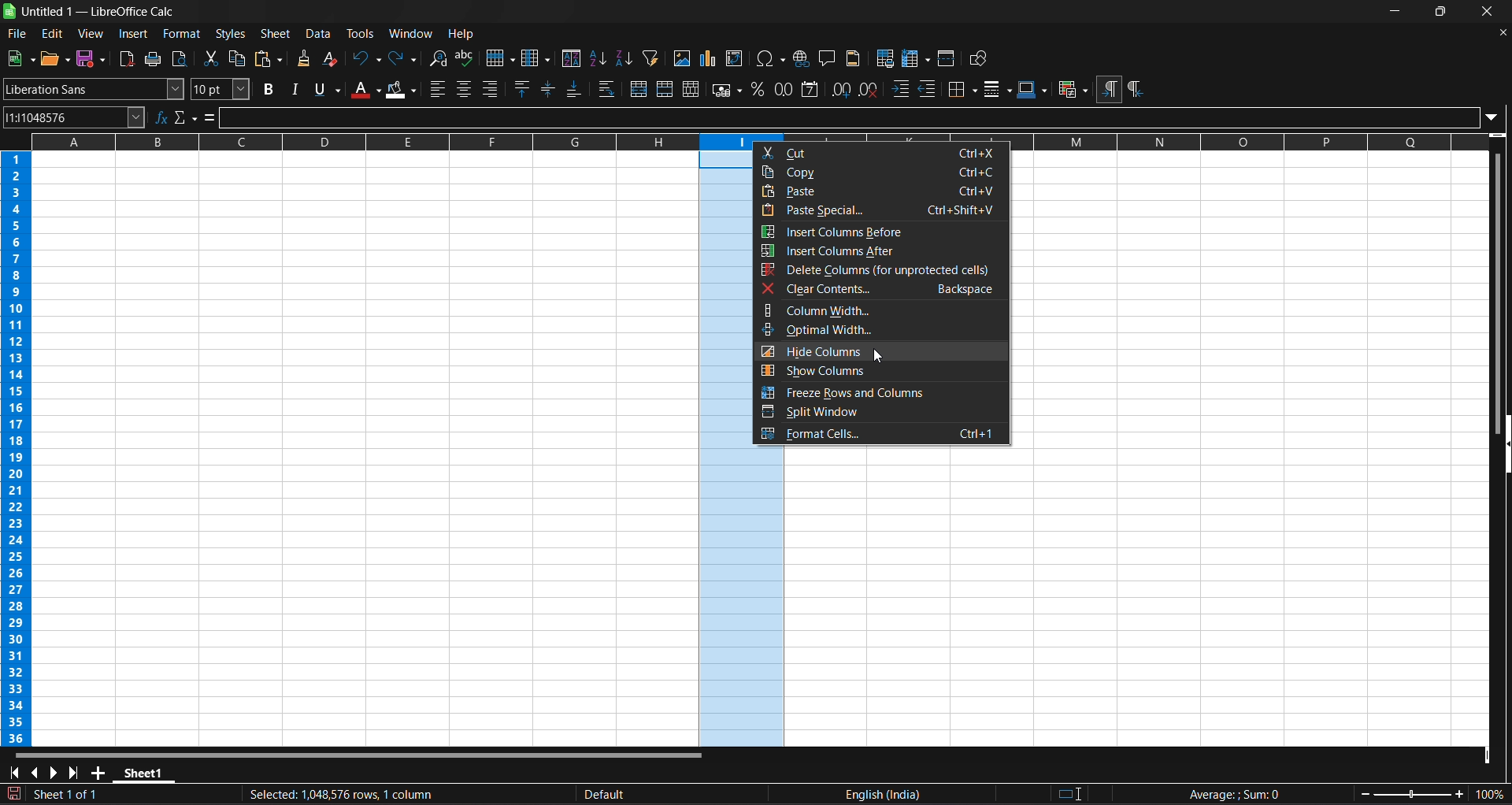  Describe the element at coordinates (665, 88) in the screenshot. I see `merge cells` at that location.